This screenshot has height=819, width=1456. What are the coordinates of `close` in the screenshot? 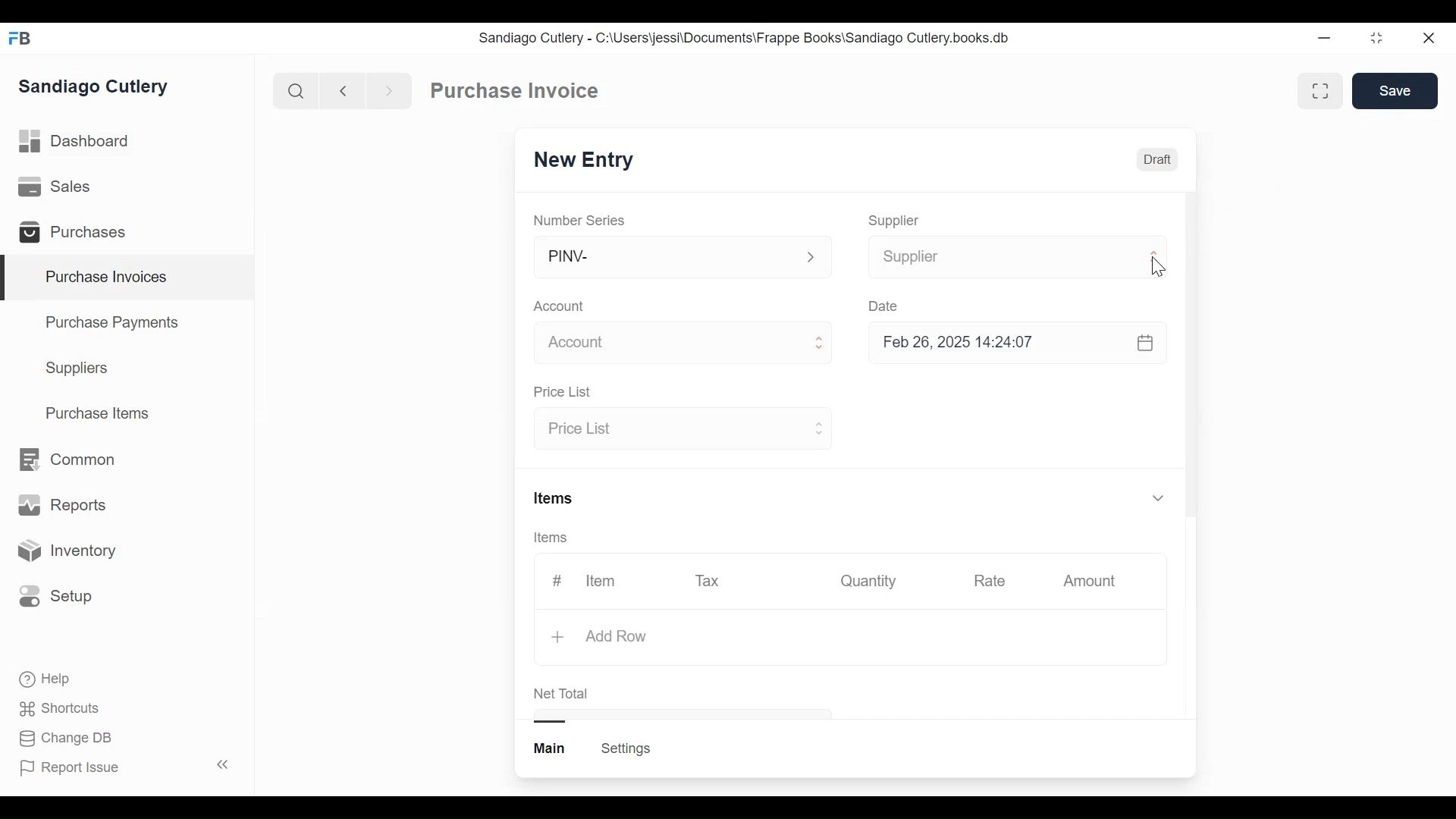 It's located at (1427, 39).